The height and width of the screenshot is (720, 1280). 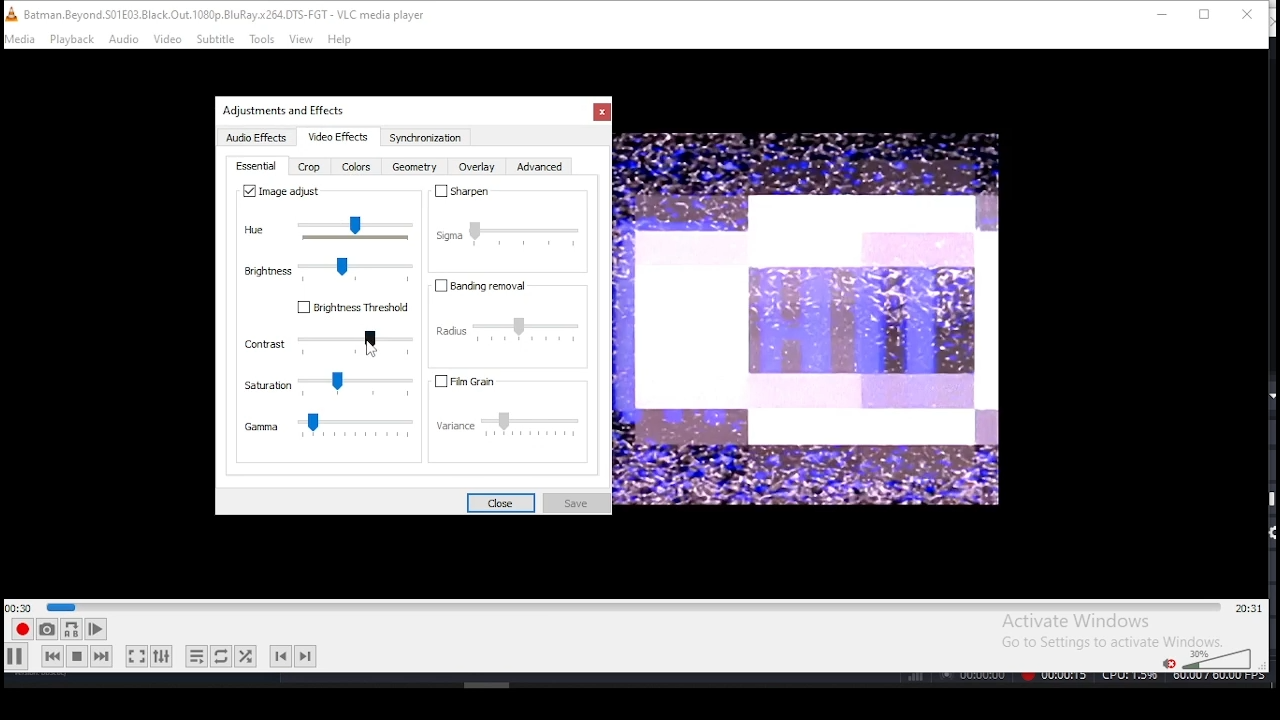 I want to click on , so click(x=369, y=348).